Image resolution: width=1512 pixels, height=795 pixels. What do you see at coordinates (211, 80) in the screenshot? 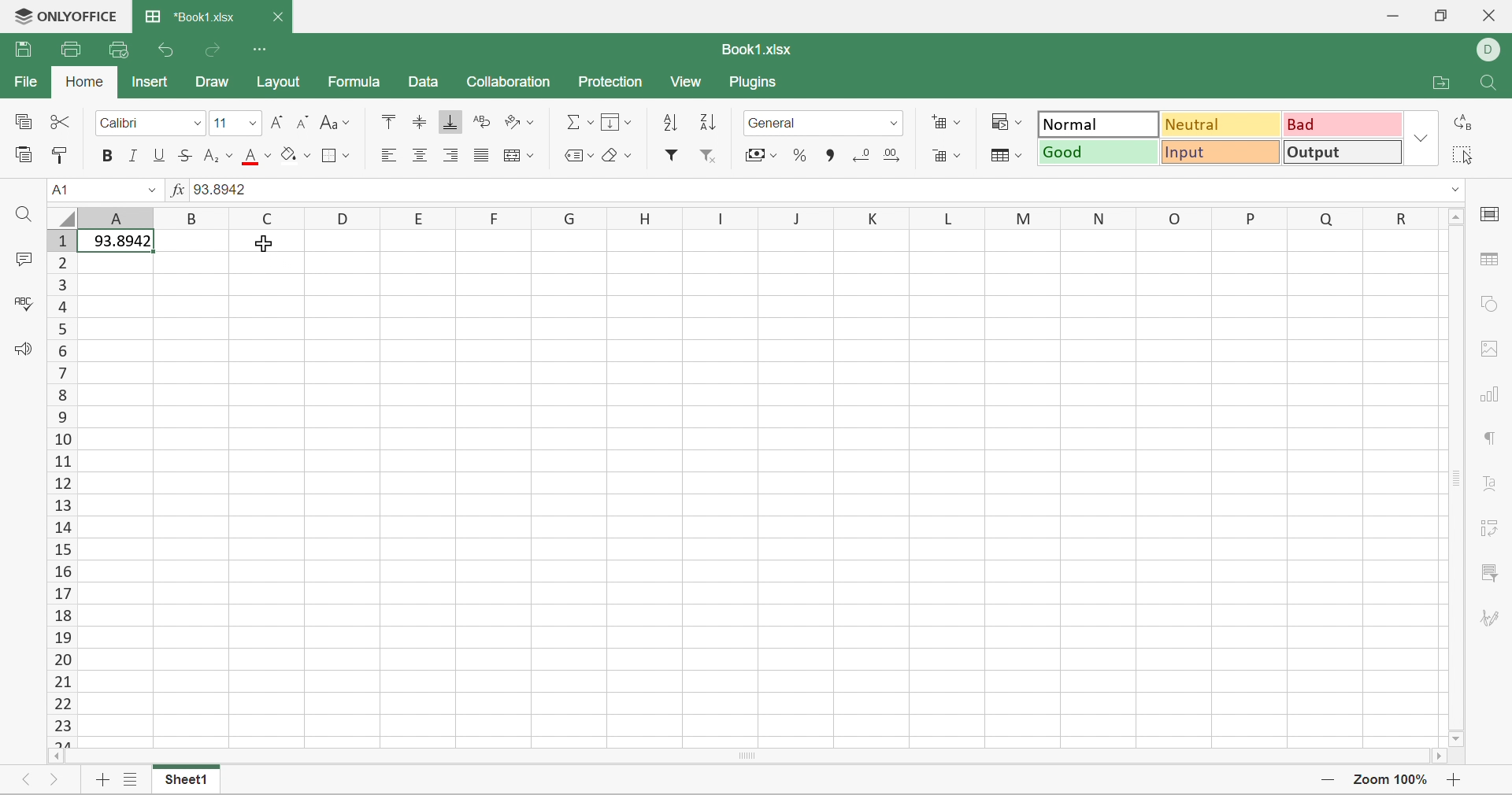
I see `Draw` at bounding box center [211, 80].